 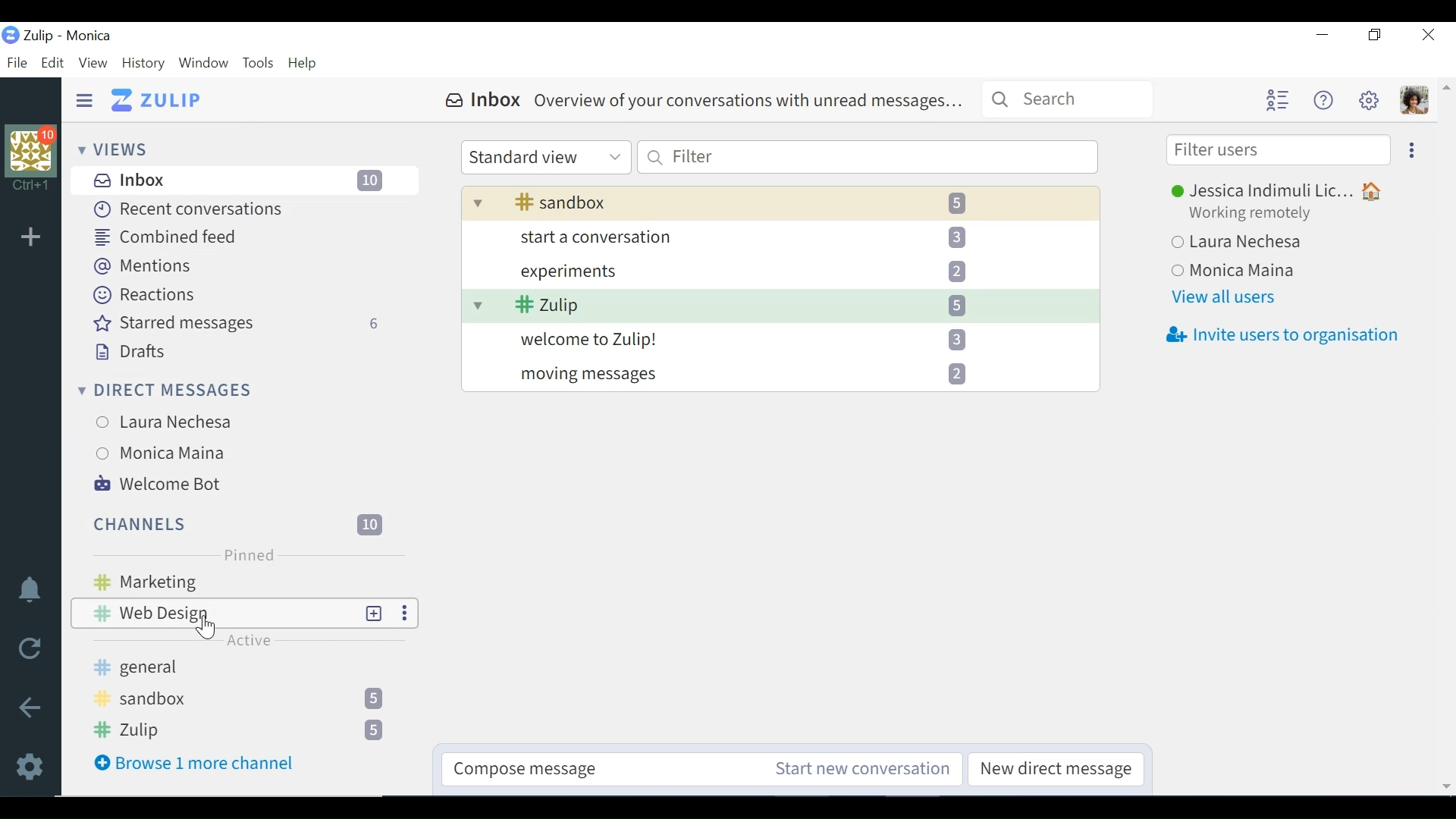 I want to click on Zulip channel, so click(x=244, y=730).